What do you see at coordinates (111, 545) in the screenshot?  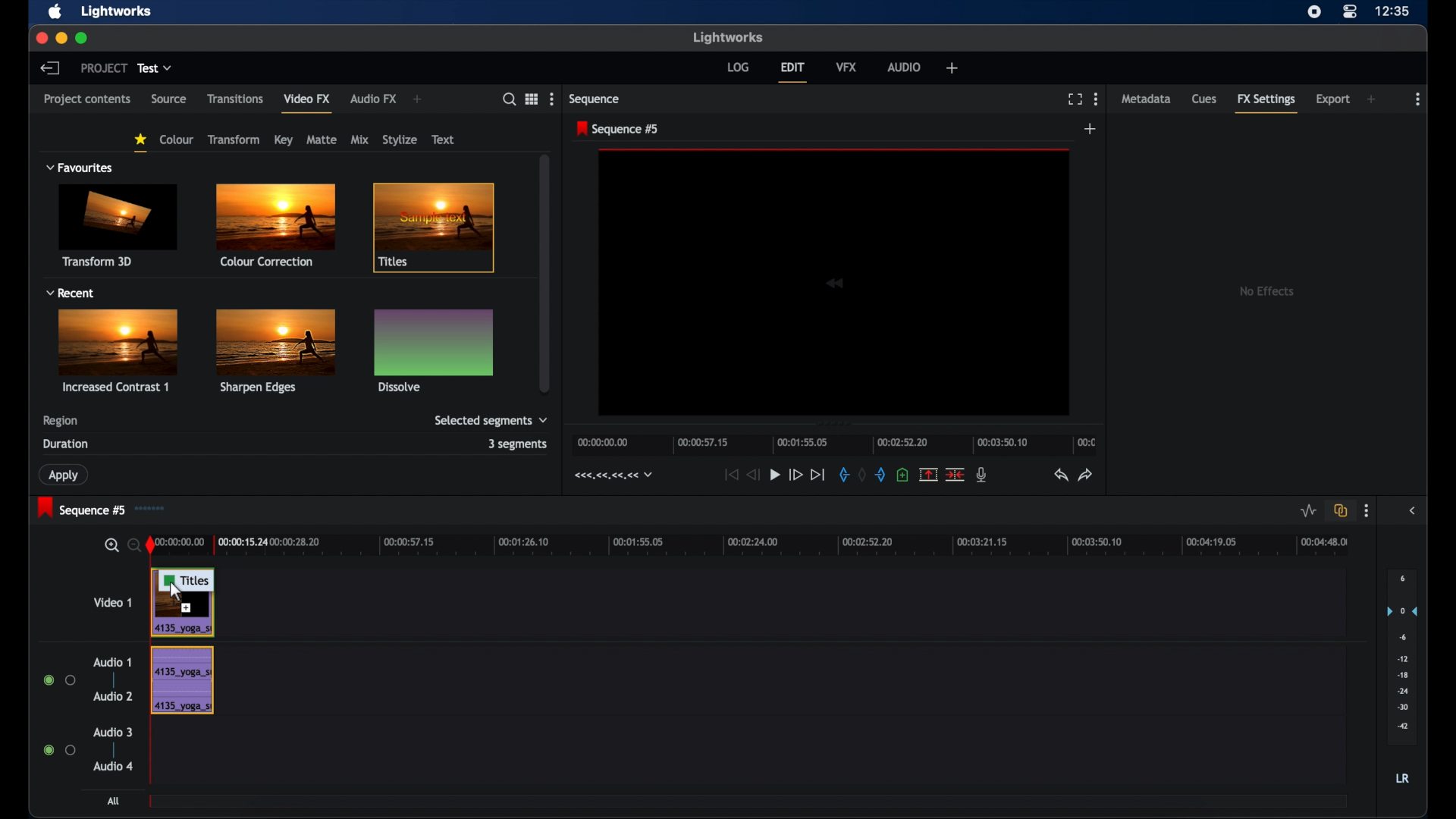 I see `zoom in` at bounding box center [111, 545].